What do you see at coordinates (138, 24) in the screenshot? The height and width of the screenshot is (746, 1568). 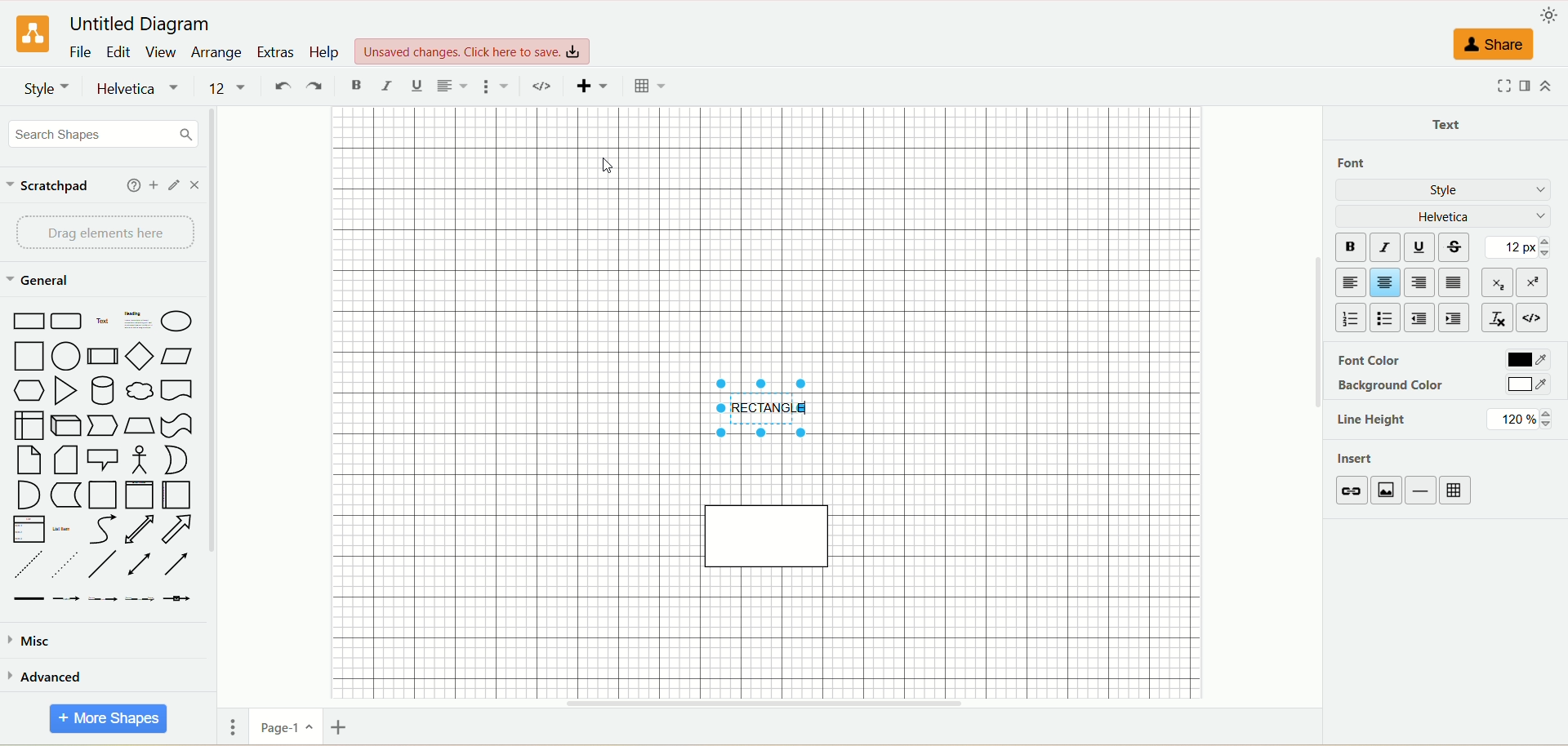 I see `title` at bounding box center [138, 24].